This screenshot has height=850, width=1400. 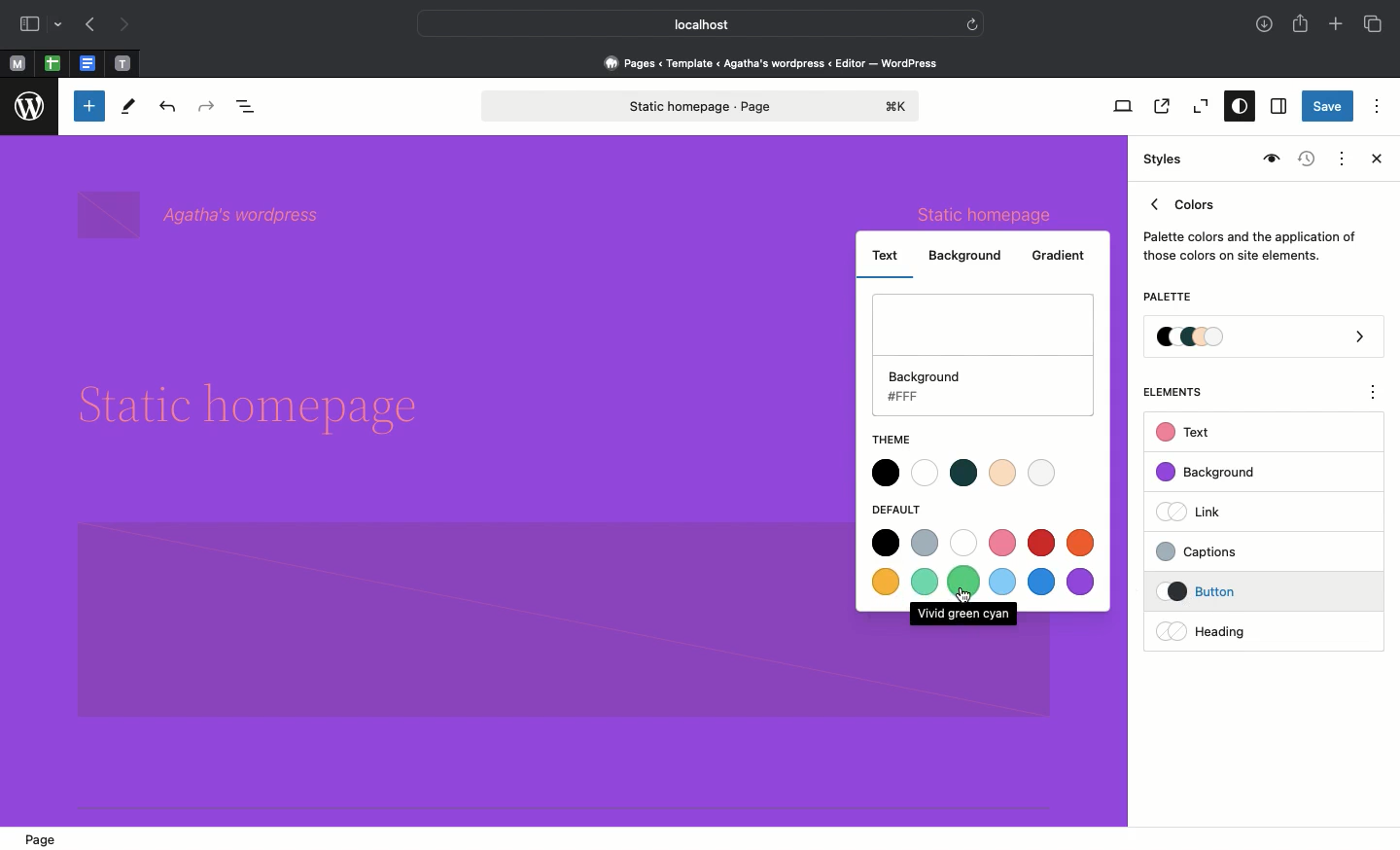 I want to click on Palette, so click(x=1265, y=338).